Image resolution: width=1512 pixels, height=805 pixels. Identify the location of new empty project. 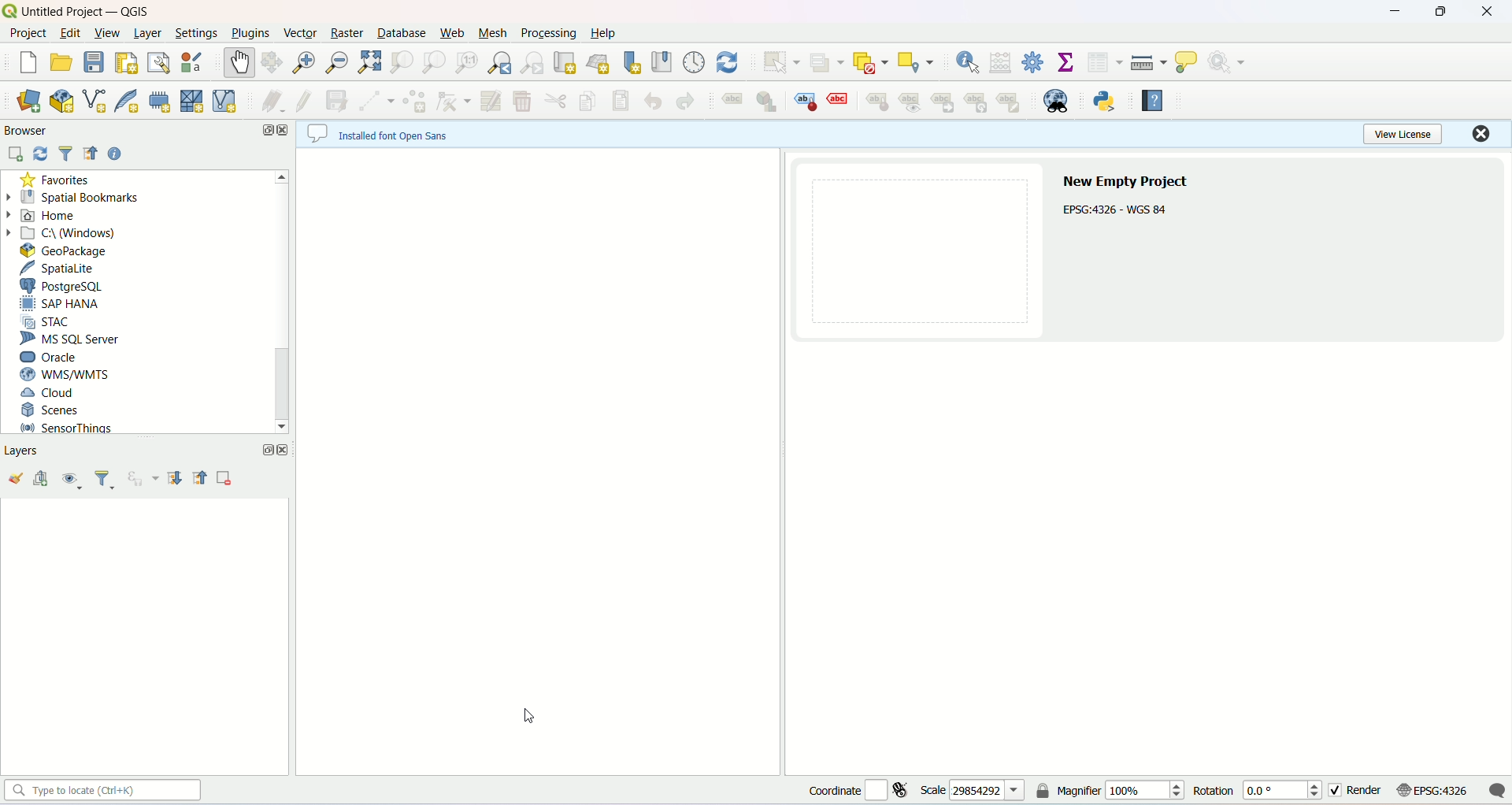
(1126, 182).